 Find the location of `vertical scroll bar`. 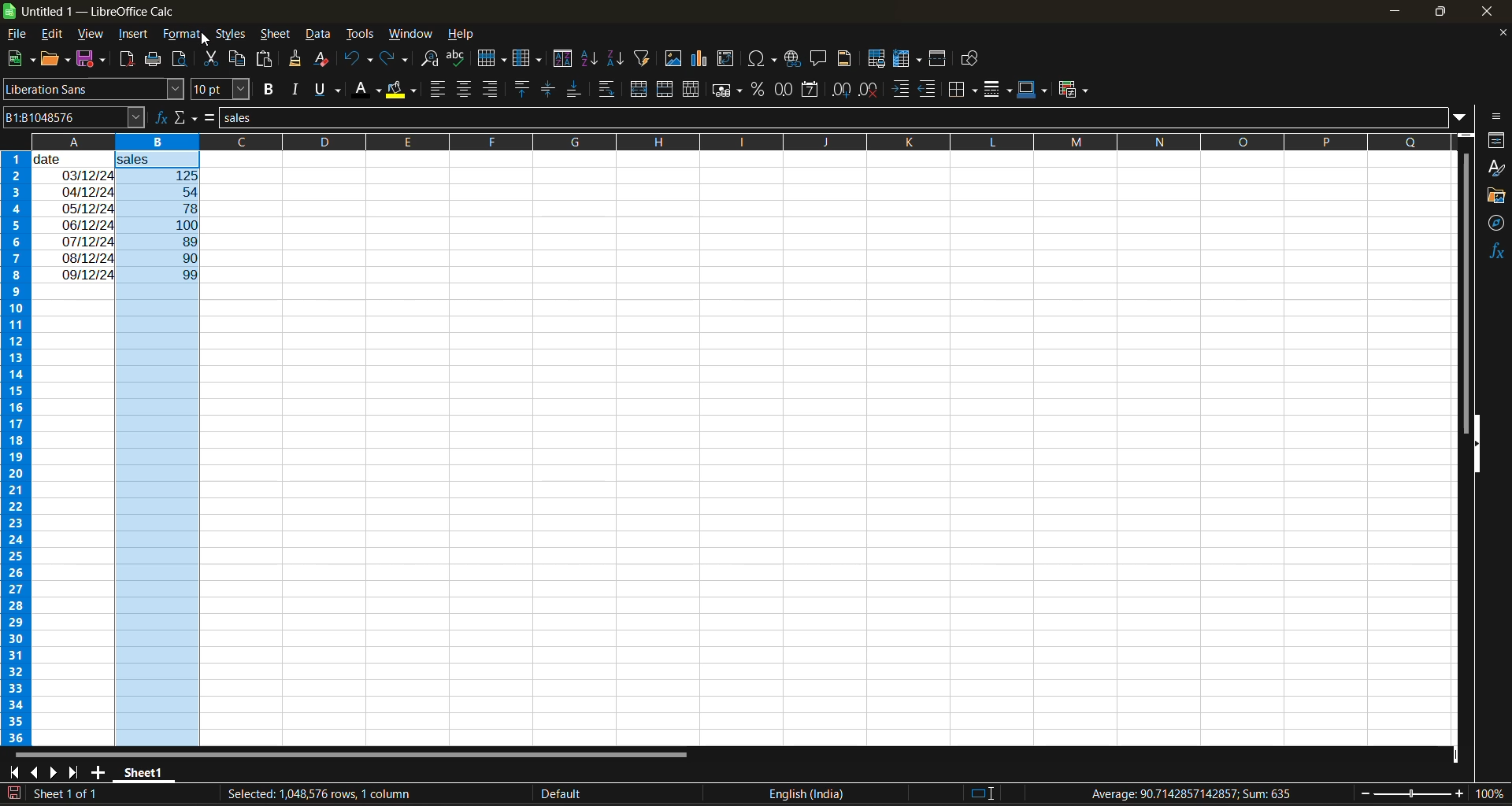

vertical scroll bar is located at coordinates (1466, 278).